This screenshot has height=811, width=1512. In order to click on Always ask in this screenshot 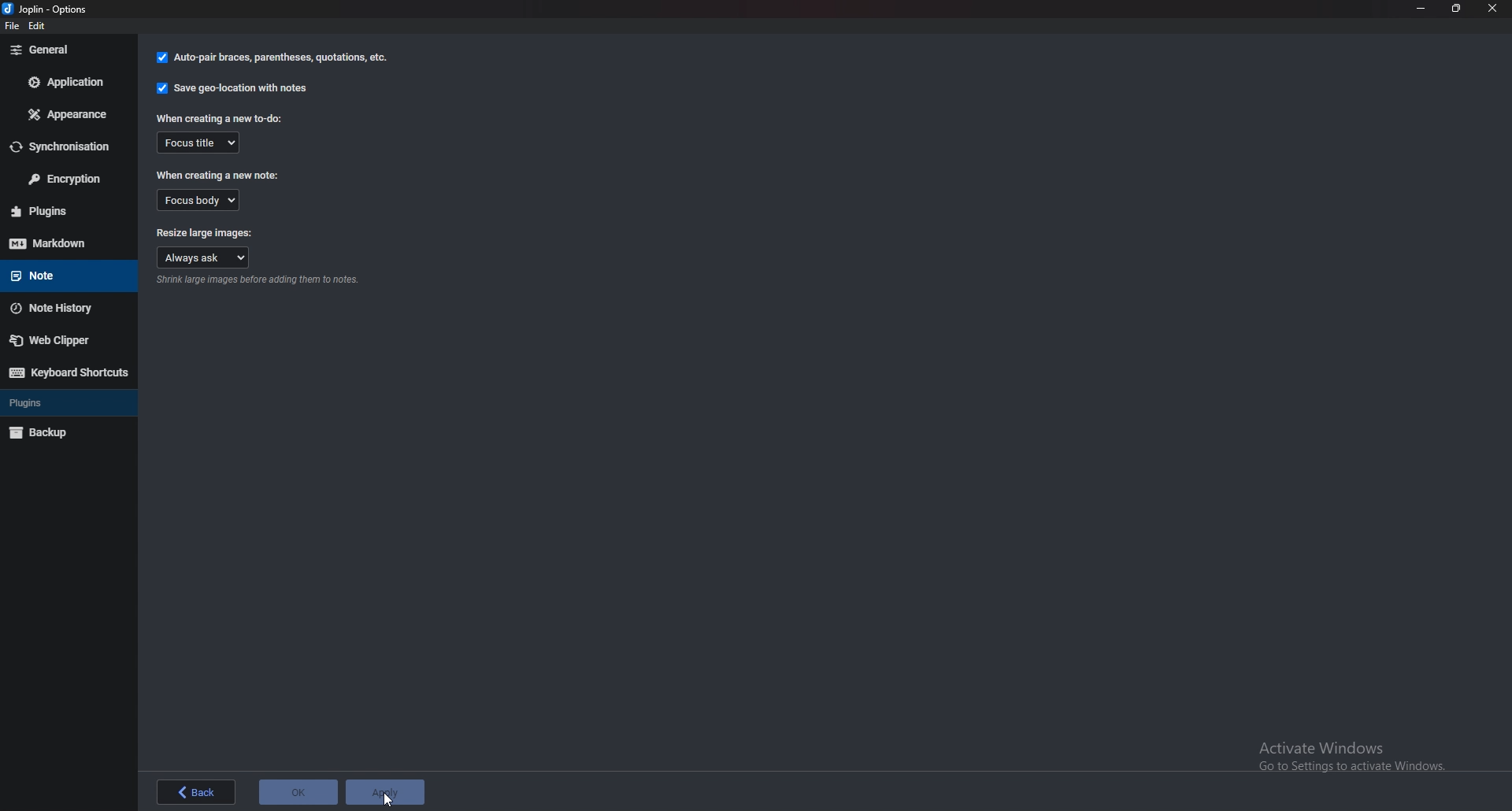, I will do `click(206, 257)`.